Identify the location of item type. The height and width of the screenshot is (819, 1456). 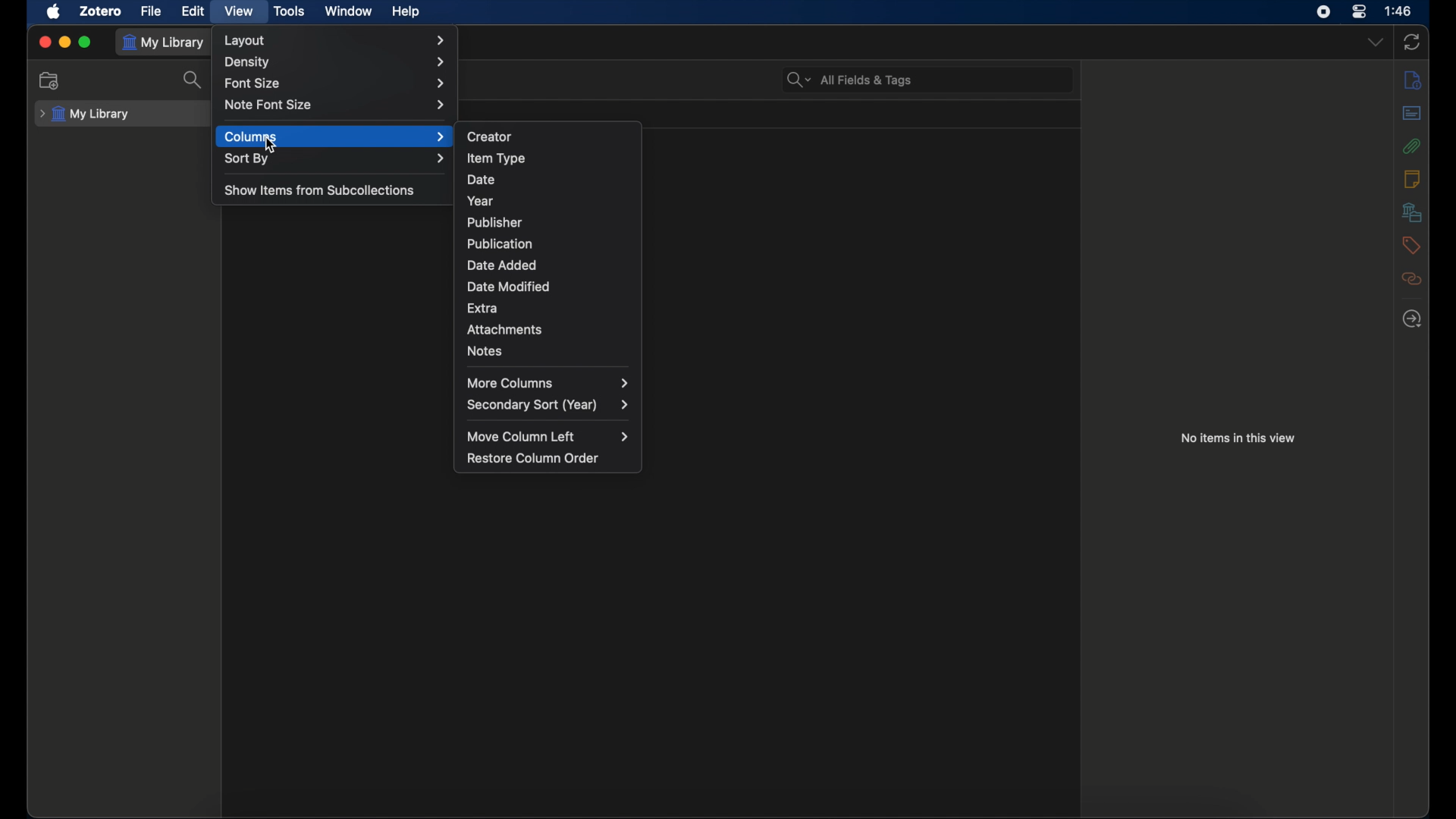
(495, 158).